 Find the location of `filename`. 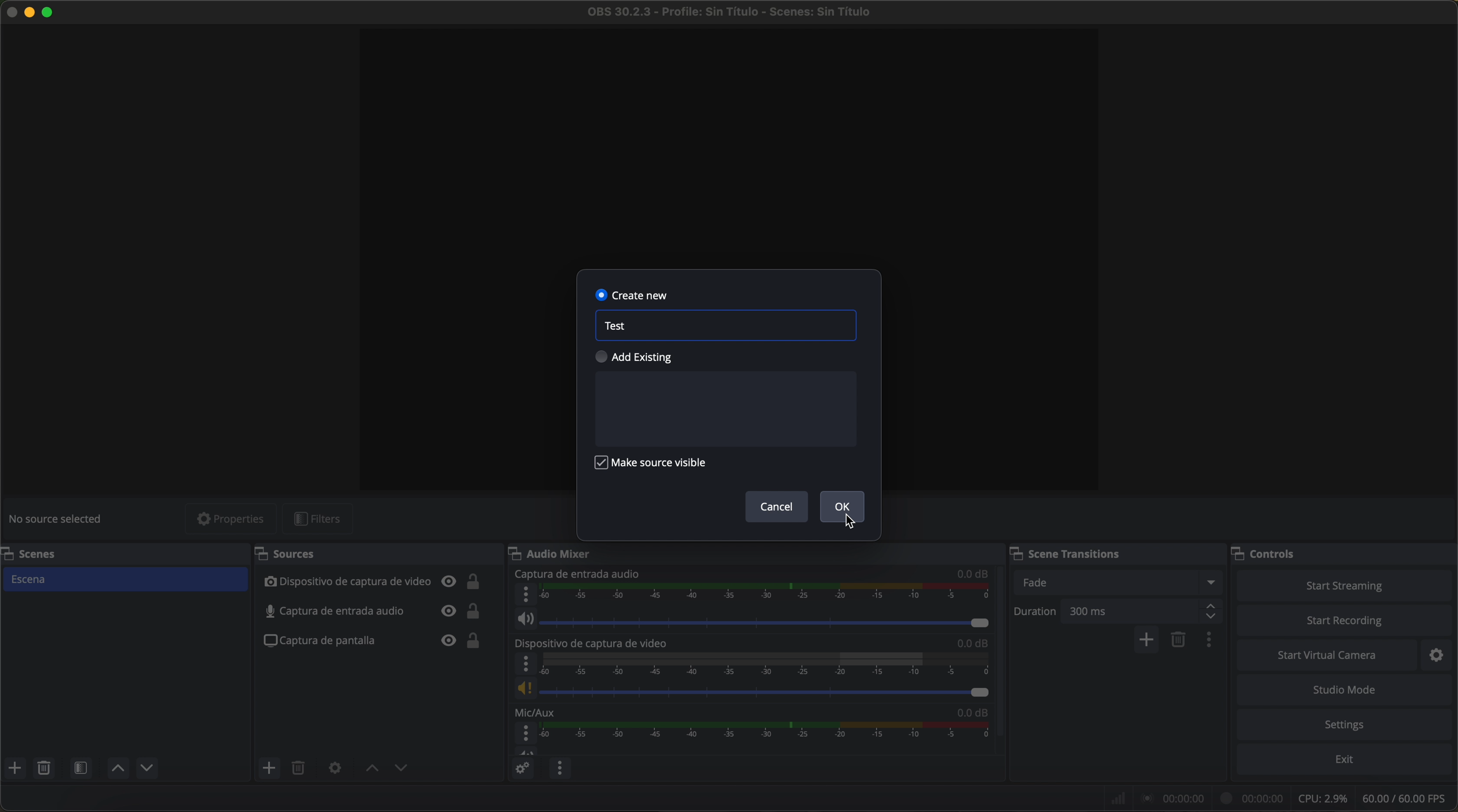

filename is located at coordinates (731, 12).